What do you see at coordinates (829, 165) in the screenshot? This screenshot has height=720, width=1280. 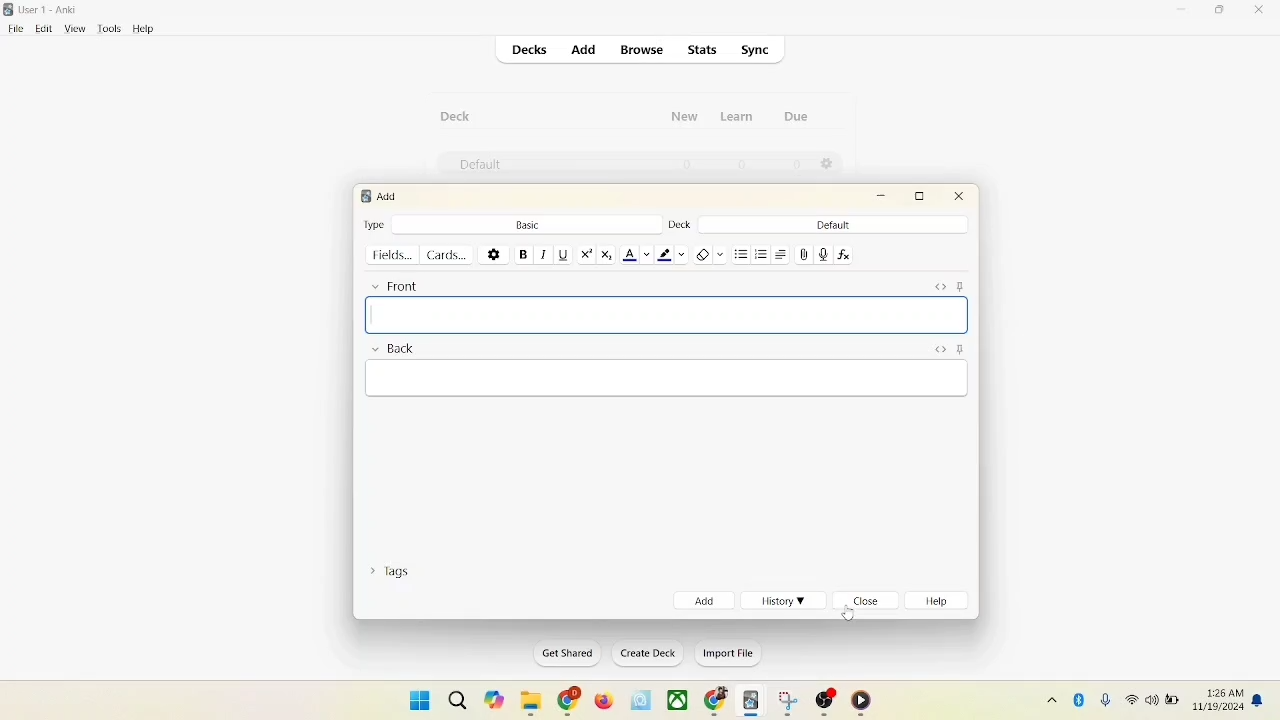 I see `Options` at bounding box center [829, 165].